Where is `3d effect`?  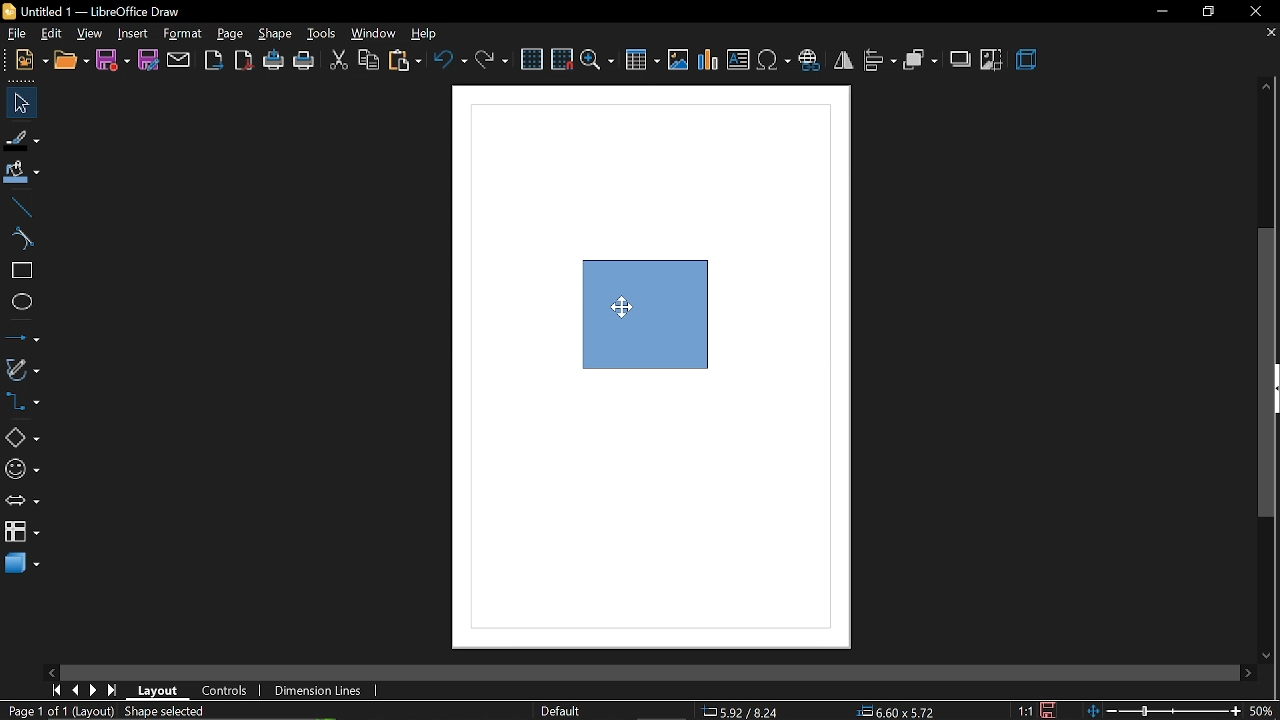
3d effect is located at coordinates (1028, 62).